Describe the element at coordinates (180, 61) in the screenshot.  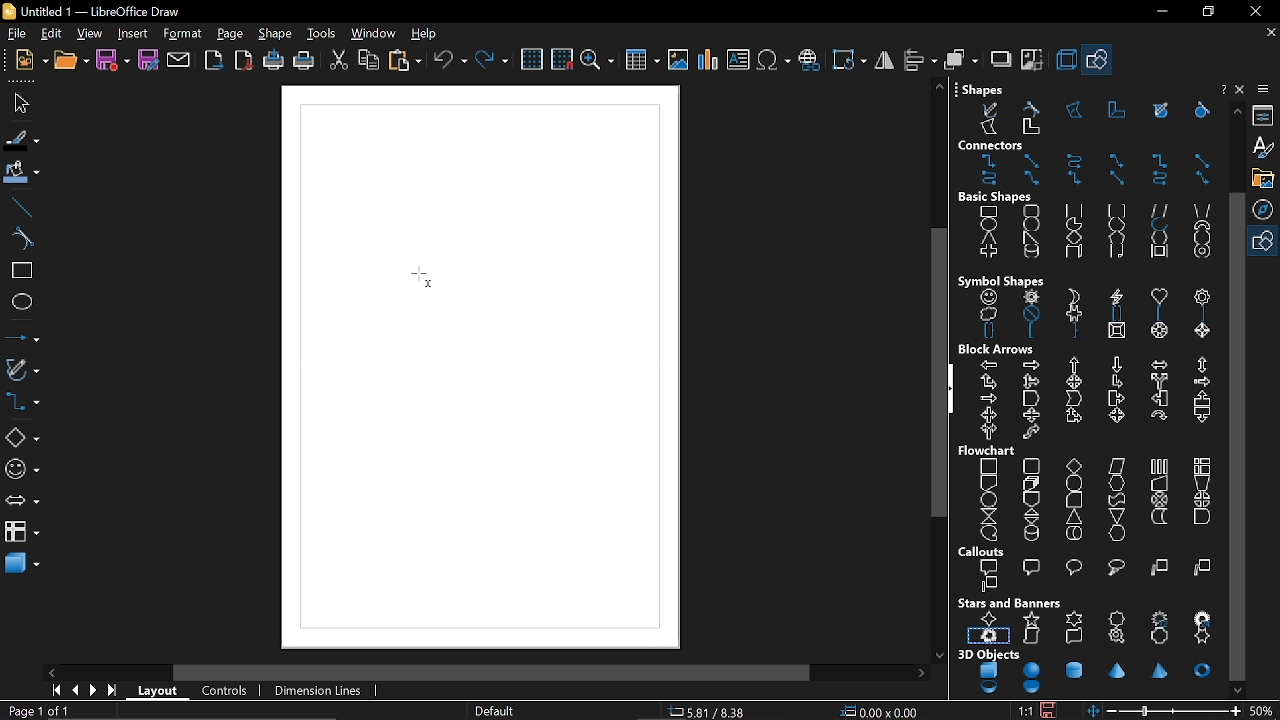
I see `attach` at that location.